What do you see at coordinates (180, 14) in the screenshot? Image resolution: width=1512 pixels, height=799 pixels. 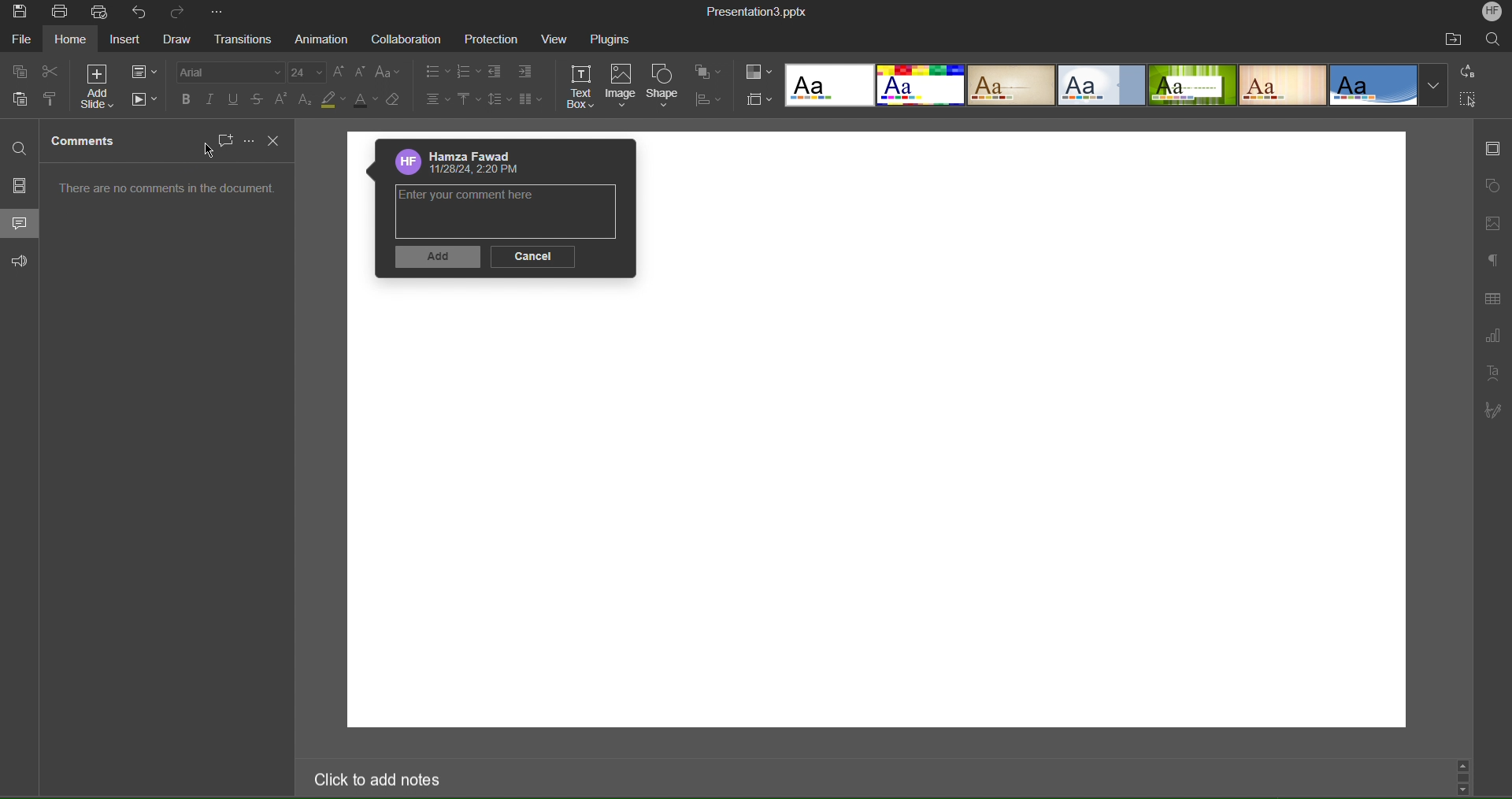 I see `Redo` at bounding box center [180, 14].